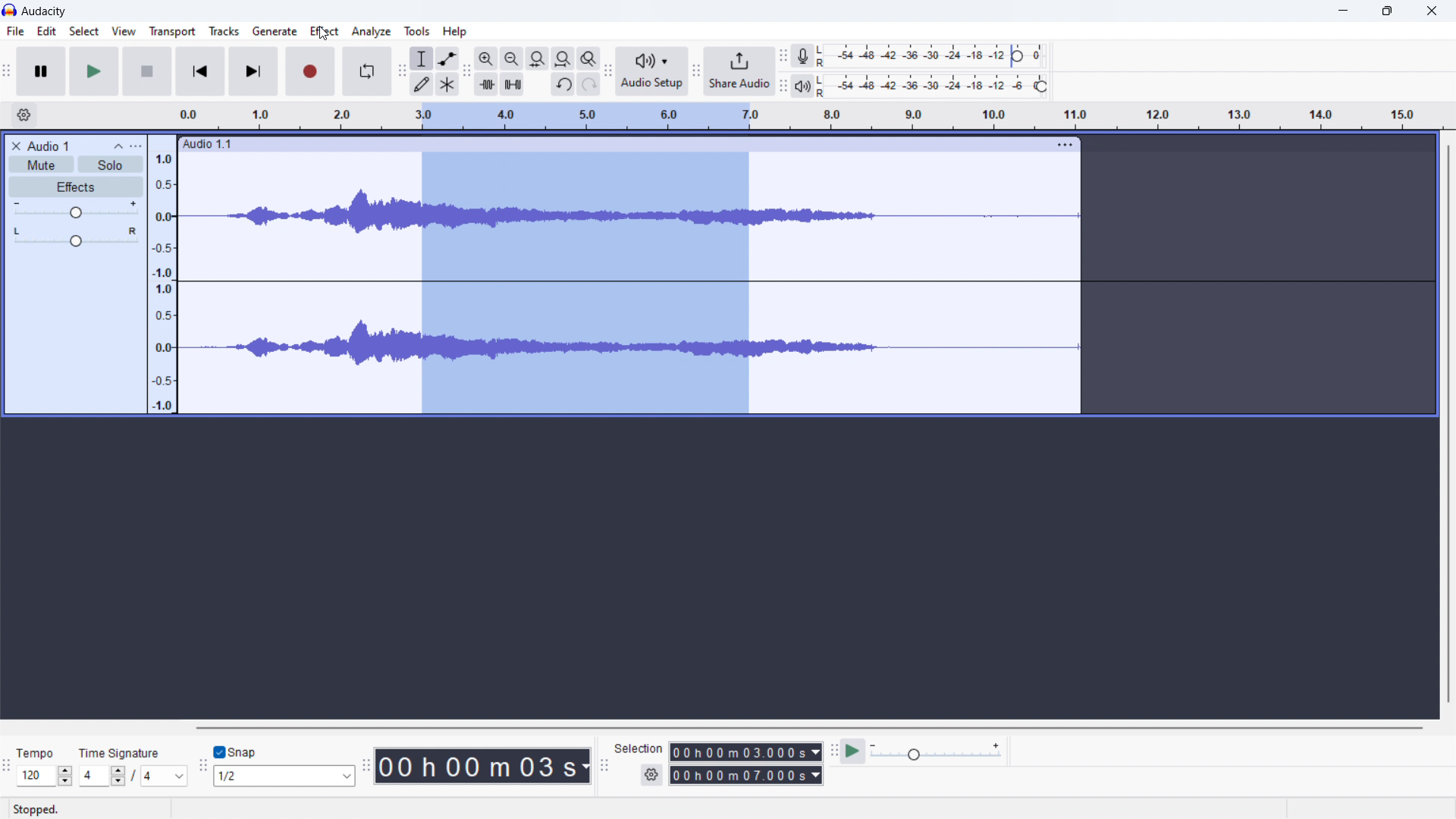 This screenshot has height=819, width=1456. What do you see at coordinates (237, 752) in the screenshot?
I see `toggle snap` at bounding box center [237, 752].